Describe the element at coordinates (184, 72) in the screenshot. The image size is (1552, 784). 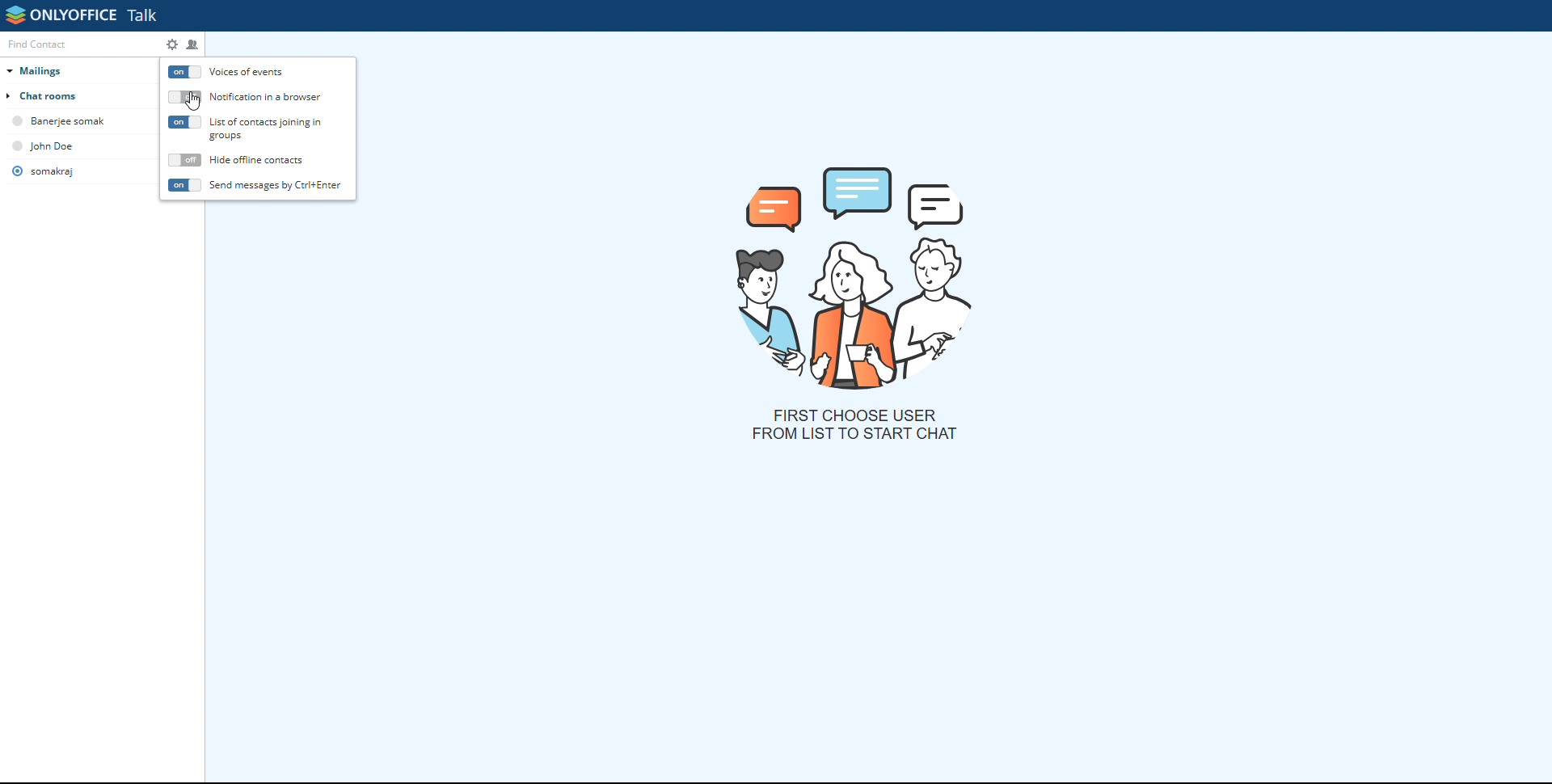
I see `voices of events` at that location.